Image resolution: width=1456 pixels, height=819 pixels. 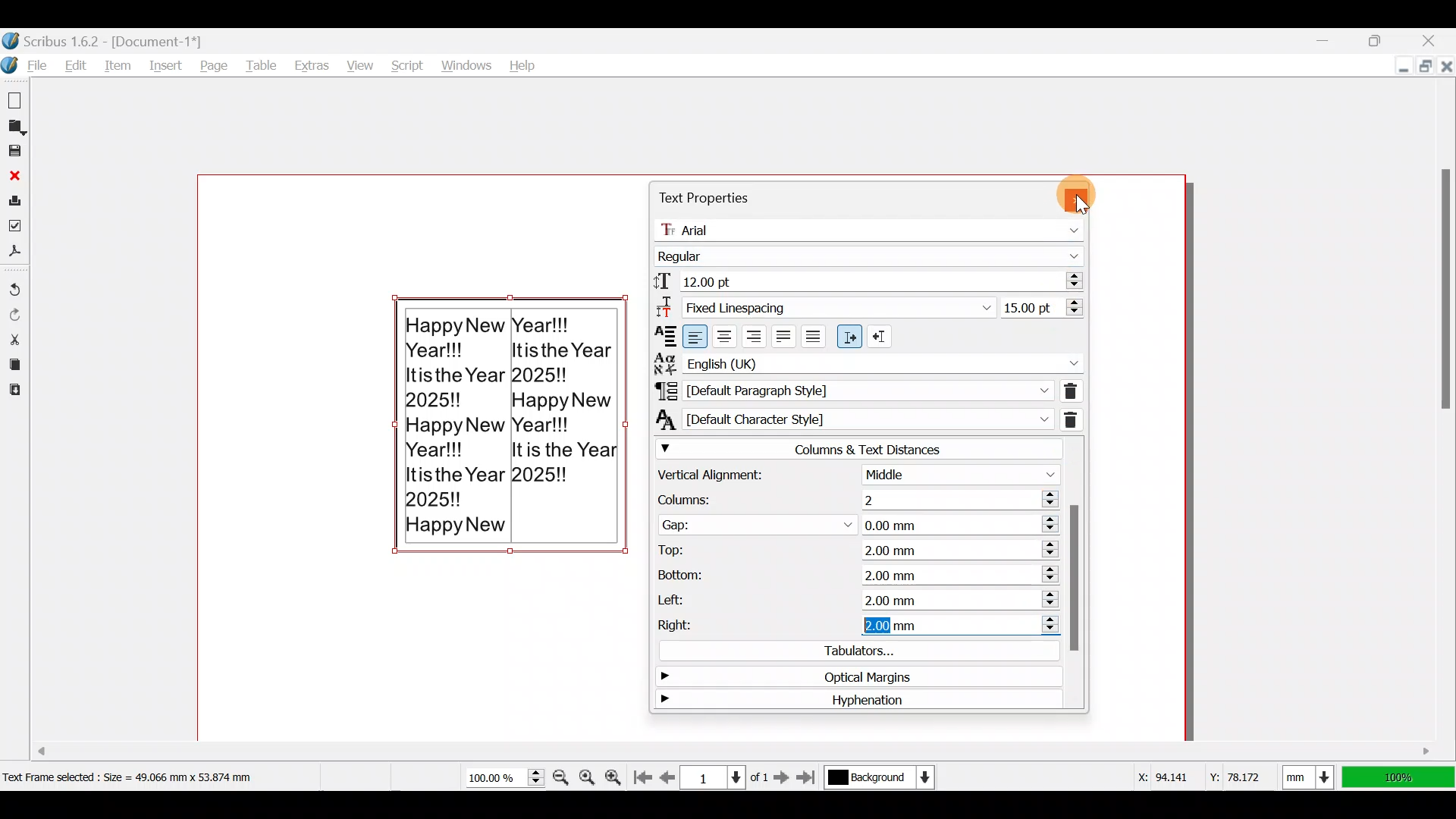 I want to click on Text properties, so click(x=704, y=198).